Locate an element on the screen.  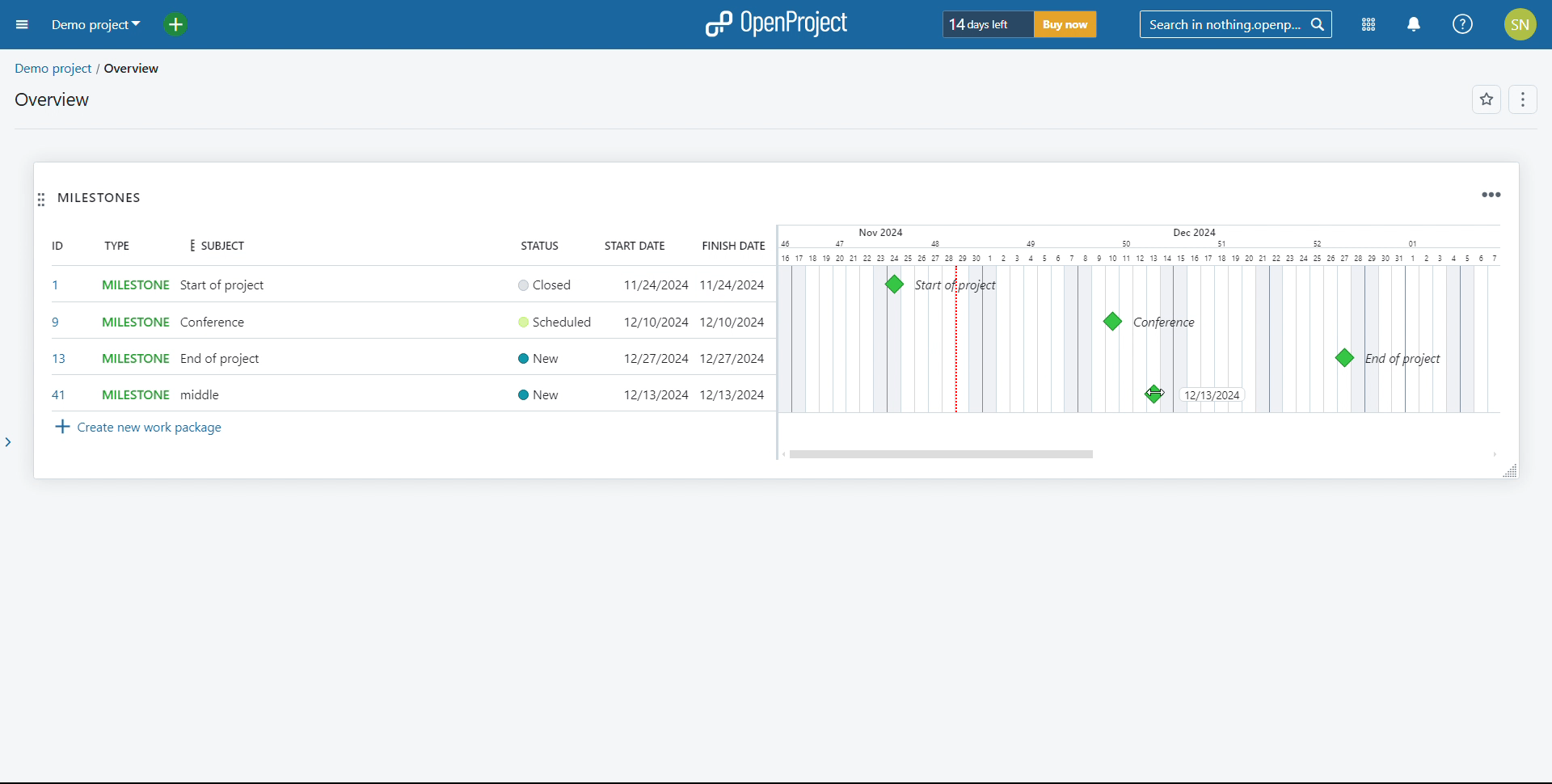
add subject is located at coordinates (226, 340).